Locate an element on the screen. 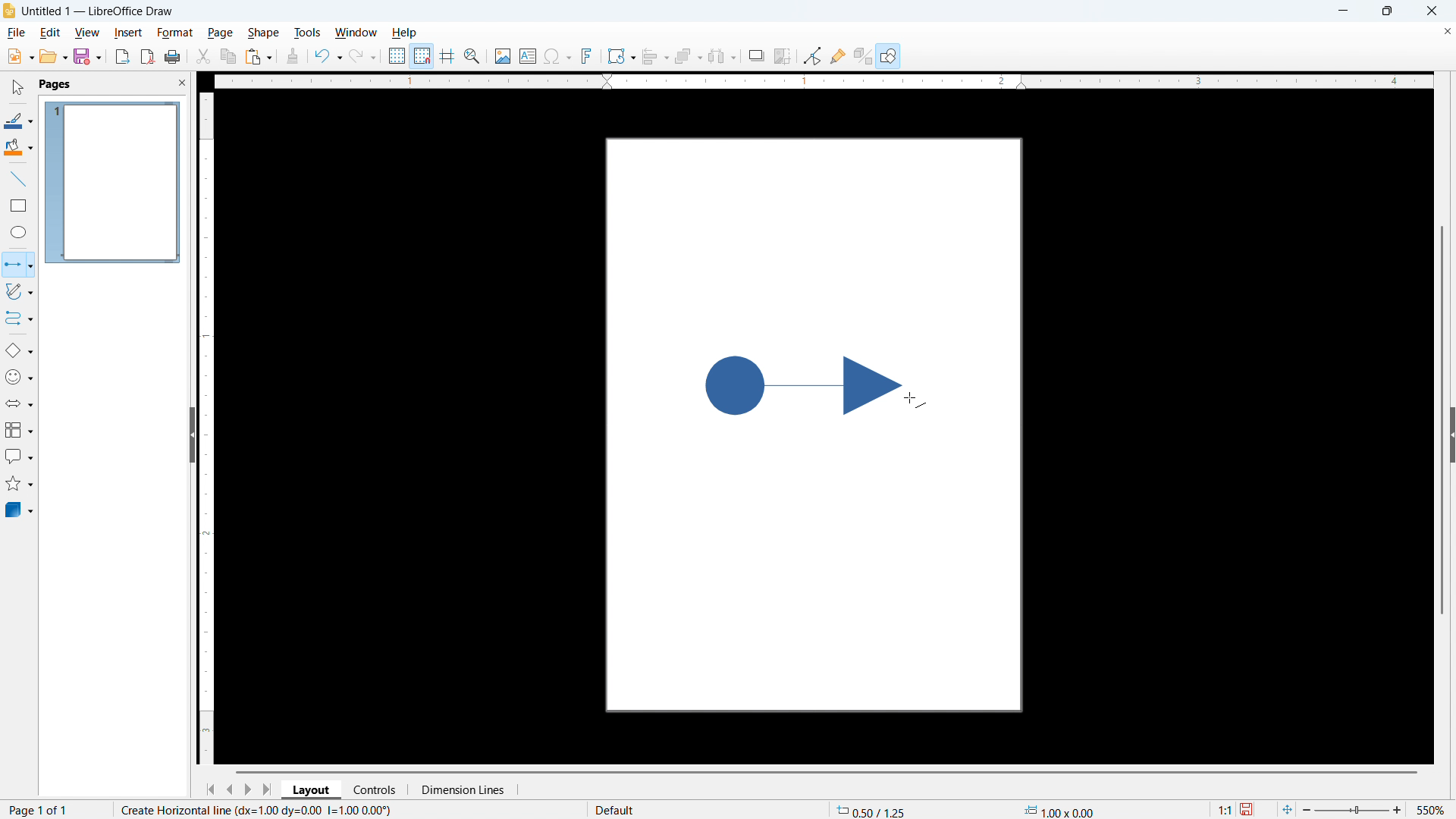 The image size is (1456, 819). Line  is located at coordinates (19, 180).